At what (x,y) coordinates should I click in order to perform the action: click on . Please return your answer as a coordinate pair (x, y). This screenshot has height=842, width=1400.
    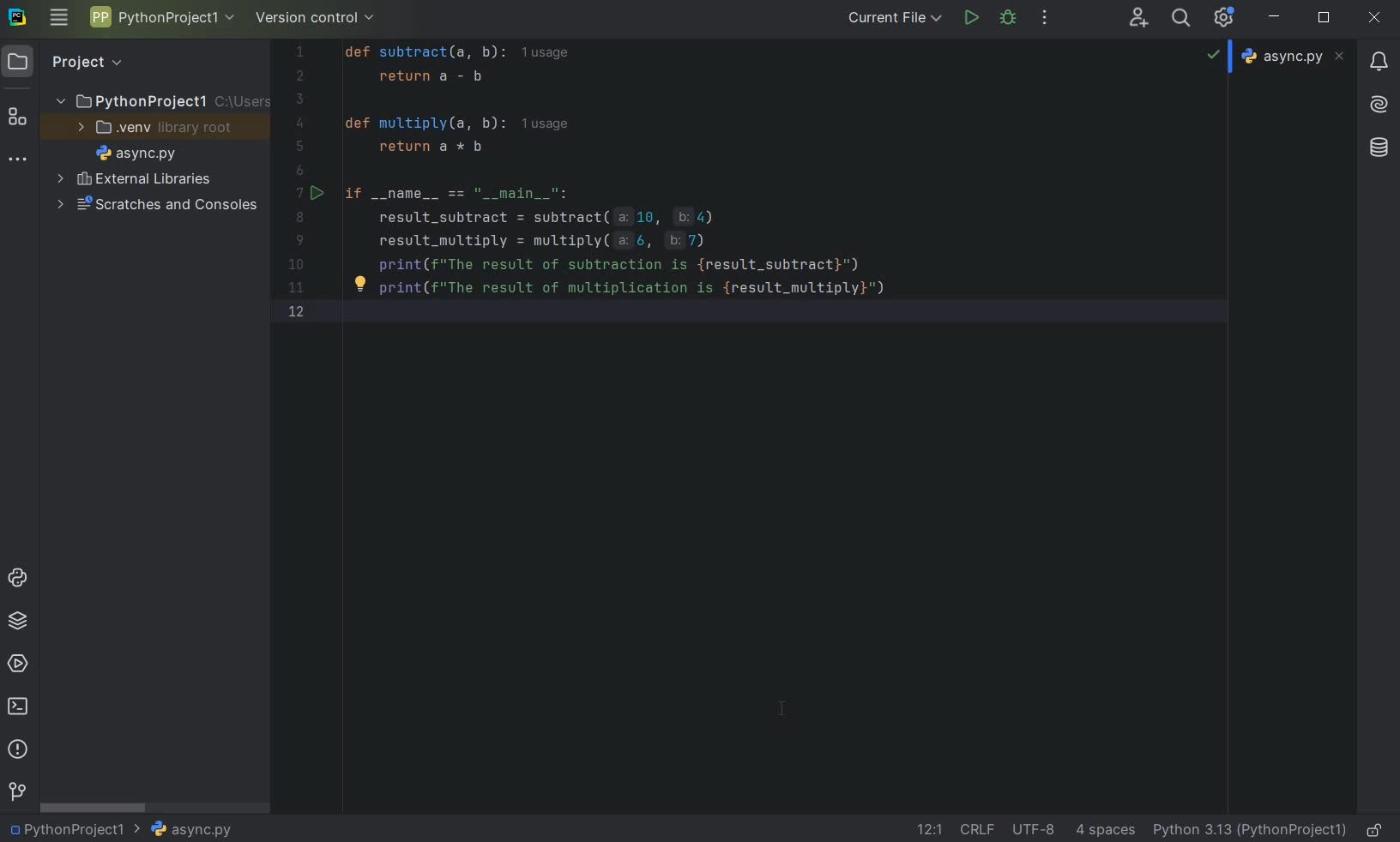
    Looking at the image, I should click on (1379, 102).